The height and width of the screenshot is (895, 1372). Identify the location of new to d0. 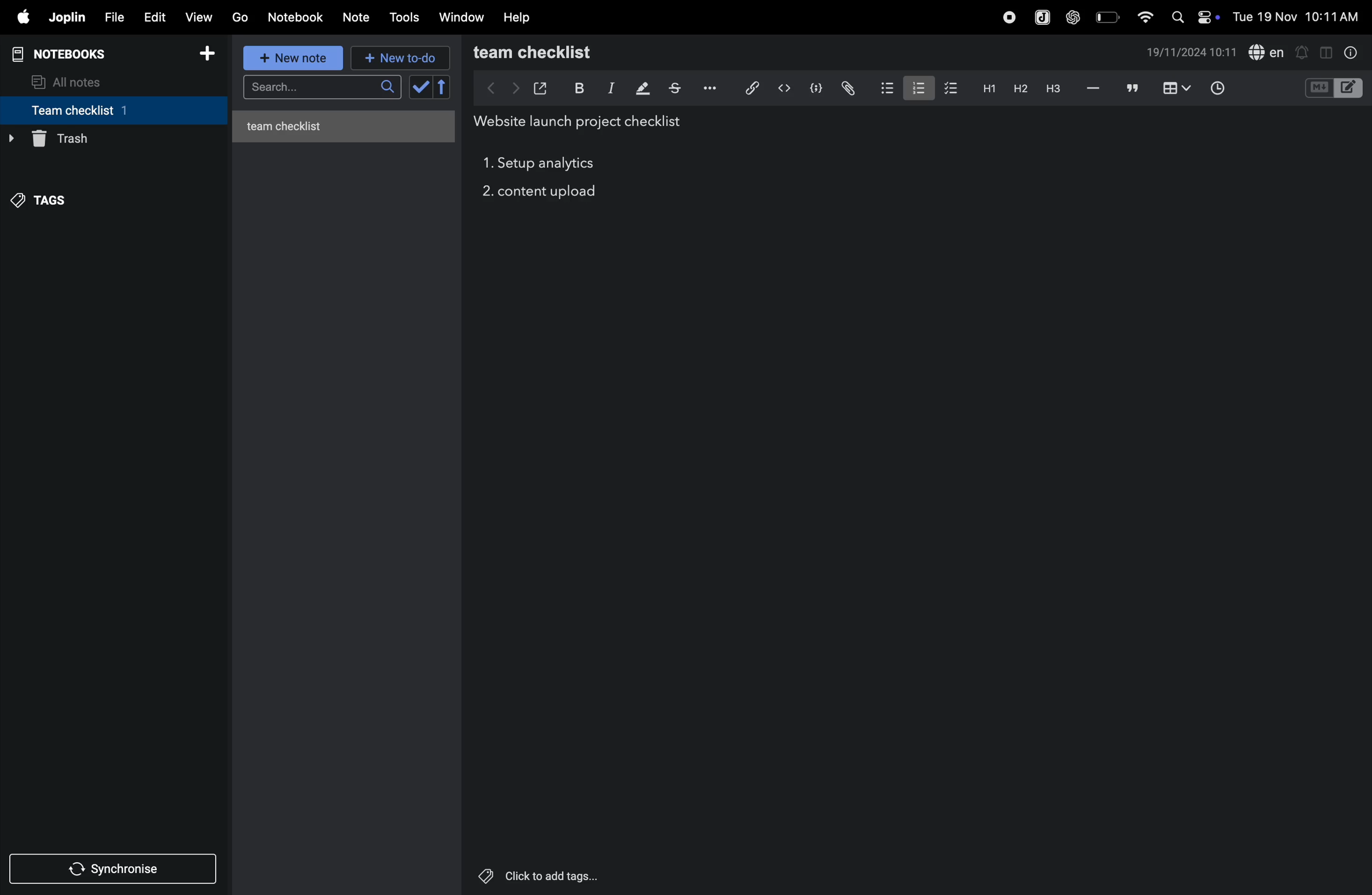
(398, 58).